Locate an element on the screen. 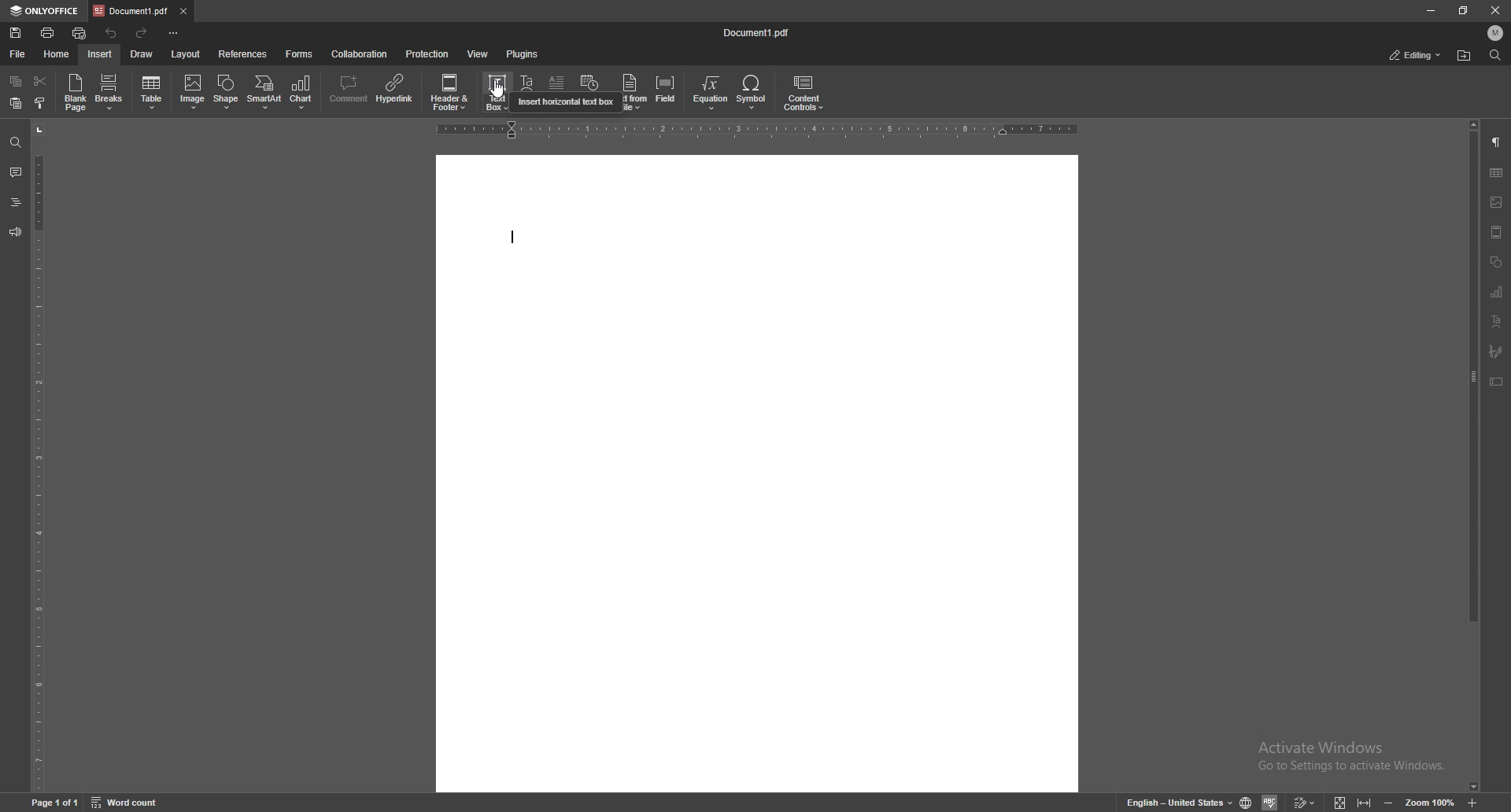  text box is located at coordinates (498, 91).